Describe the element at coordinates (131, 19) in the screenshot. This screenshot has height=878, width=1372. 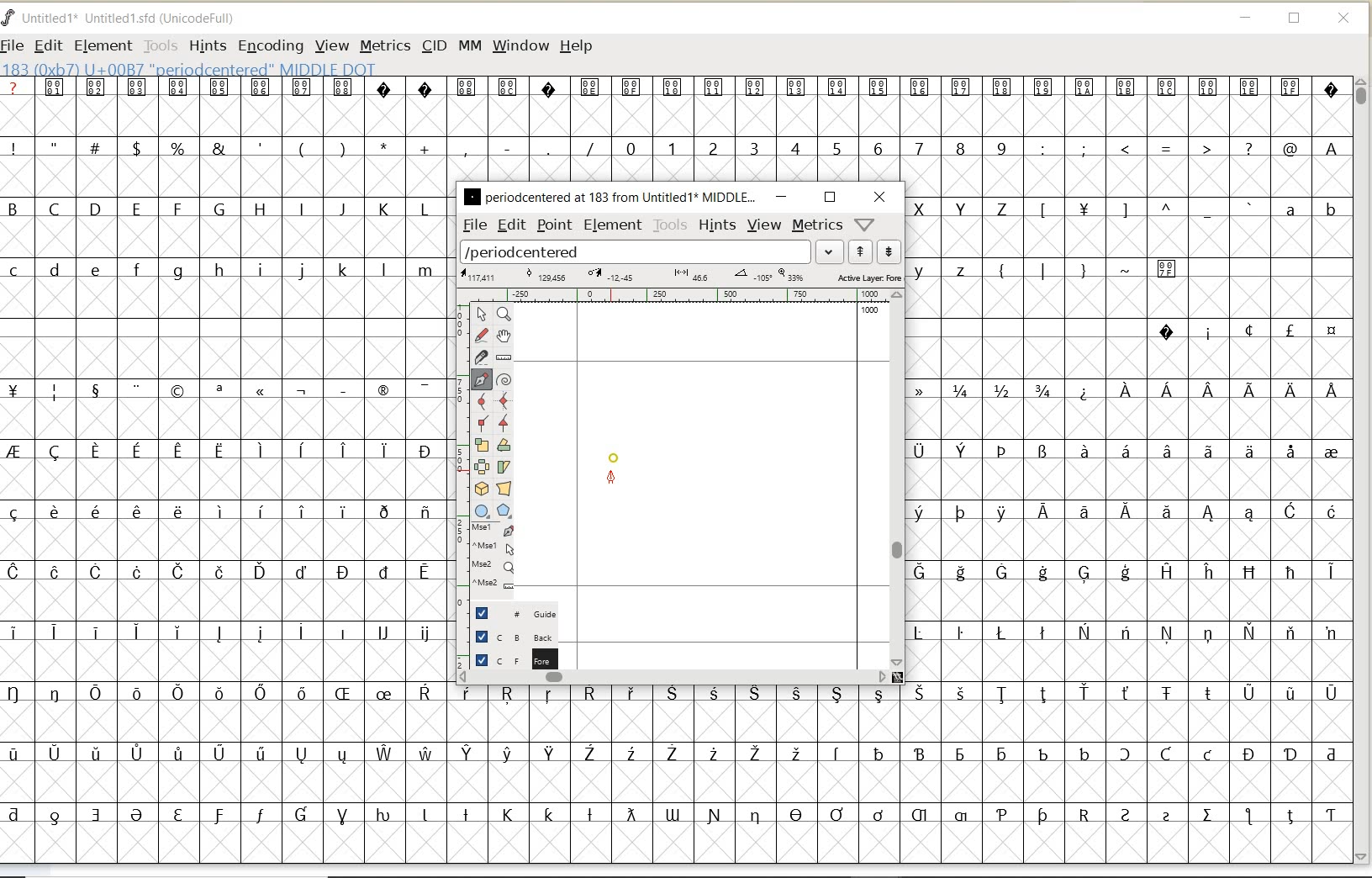
I see `FONT NAME` at that location.